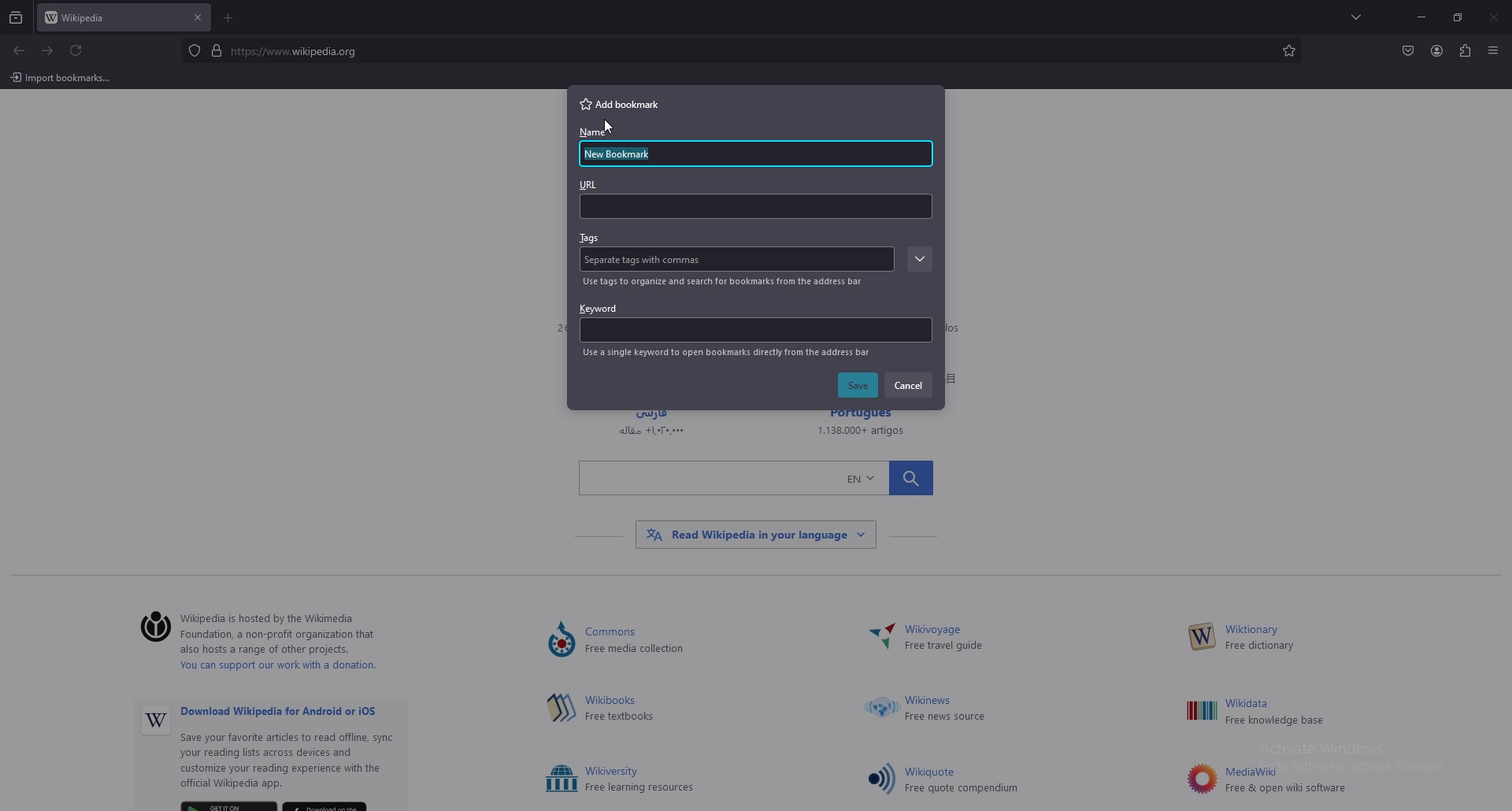 This screenshot has width=1512, height=811. What do you see at coordinates (623, 709) in the screenshot?
I see `hima
Free textbooks` at bounding box center [623, 709].